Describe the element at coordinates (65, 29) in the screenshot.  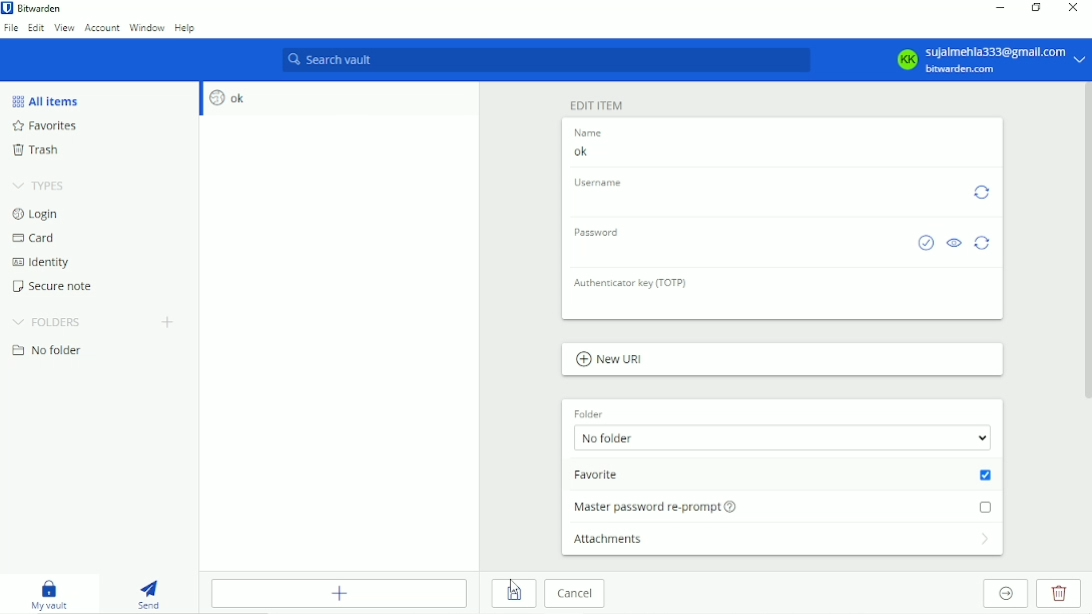
I see `View` at that location.